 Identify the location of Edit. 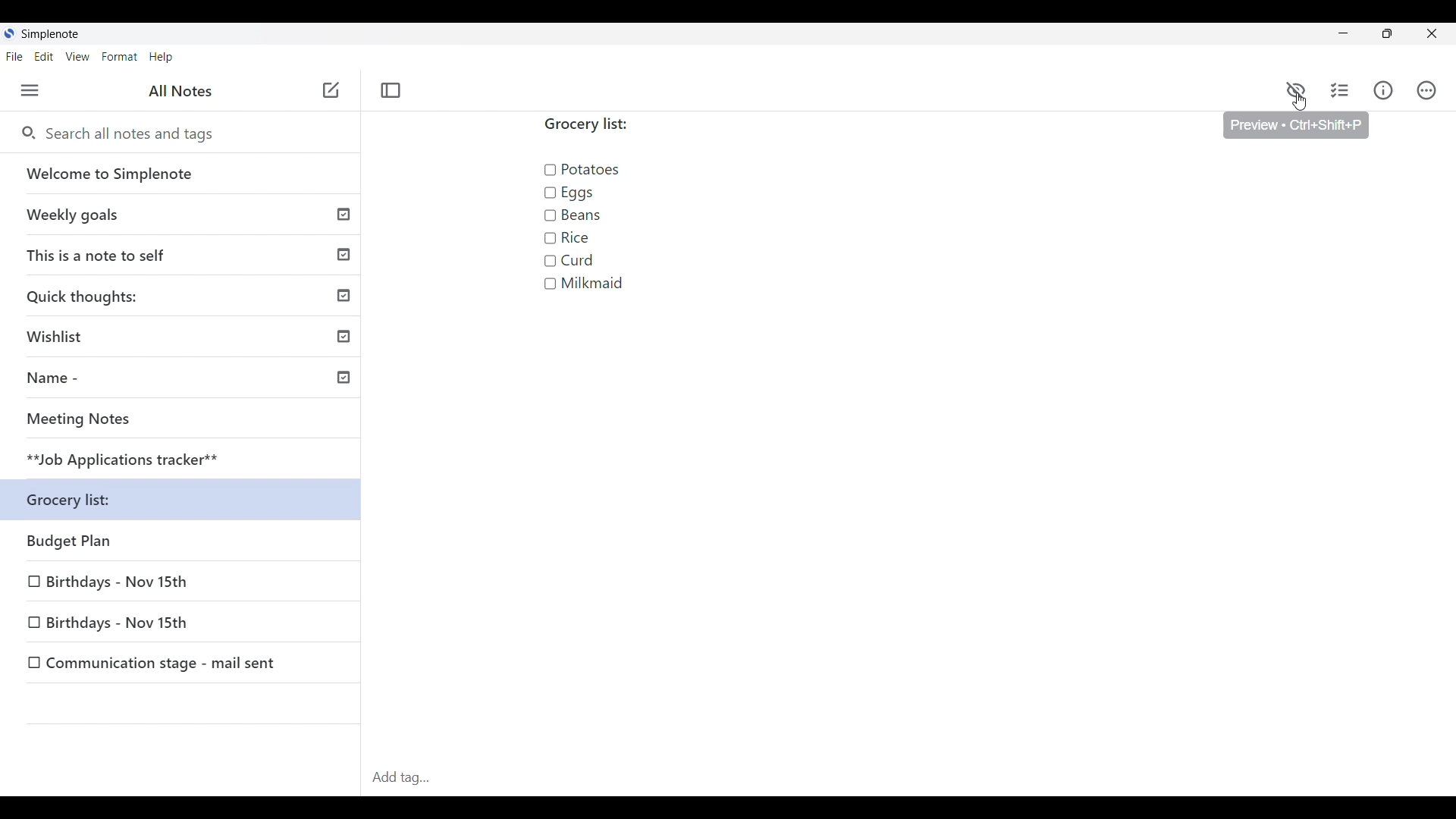
(44, 57).